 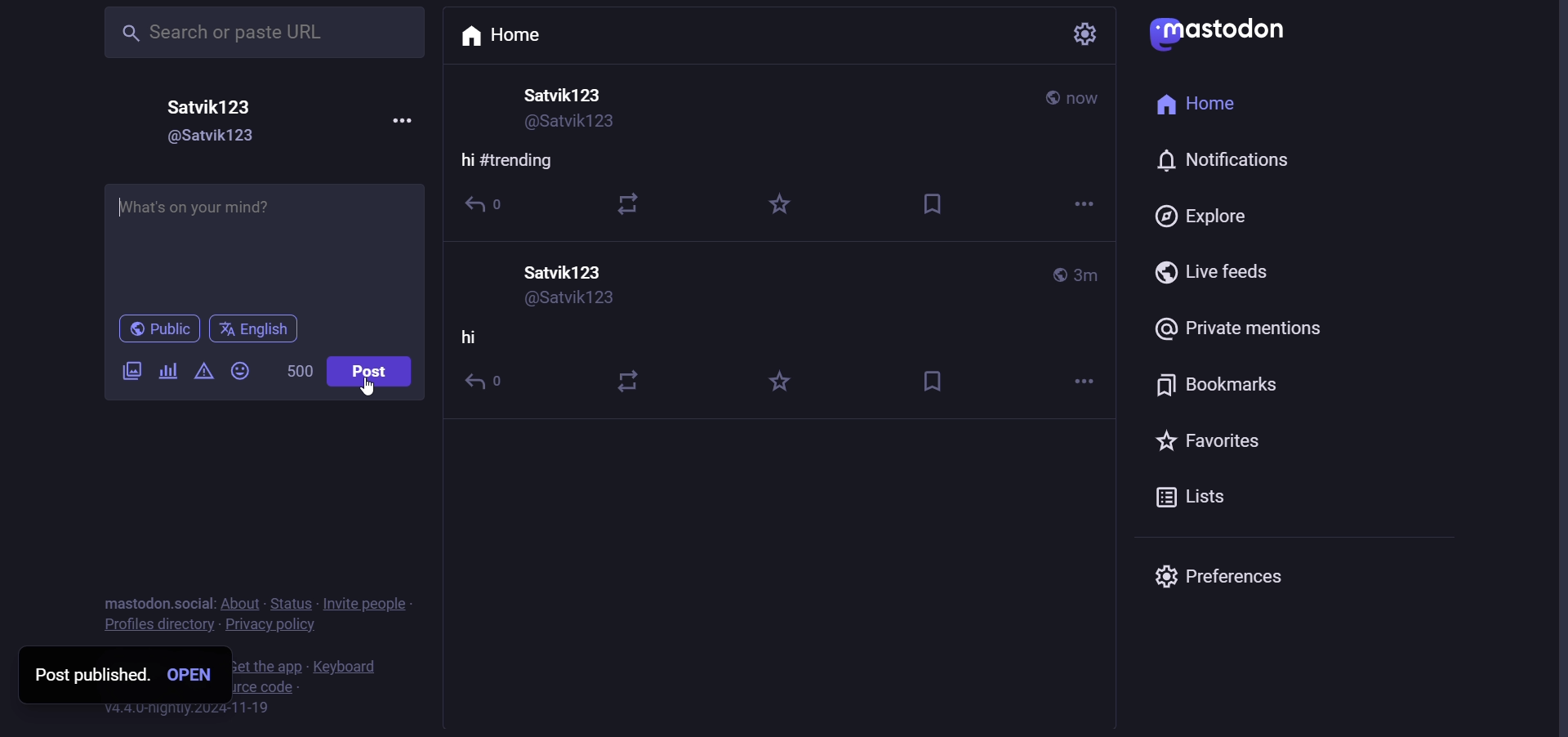 What do you see at coordinates (254, 331) in the screenshot?
I see `language` at bounding box center [254, 331].